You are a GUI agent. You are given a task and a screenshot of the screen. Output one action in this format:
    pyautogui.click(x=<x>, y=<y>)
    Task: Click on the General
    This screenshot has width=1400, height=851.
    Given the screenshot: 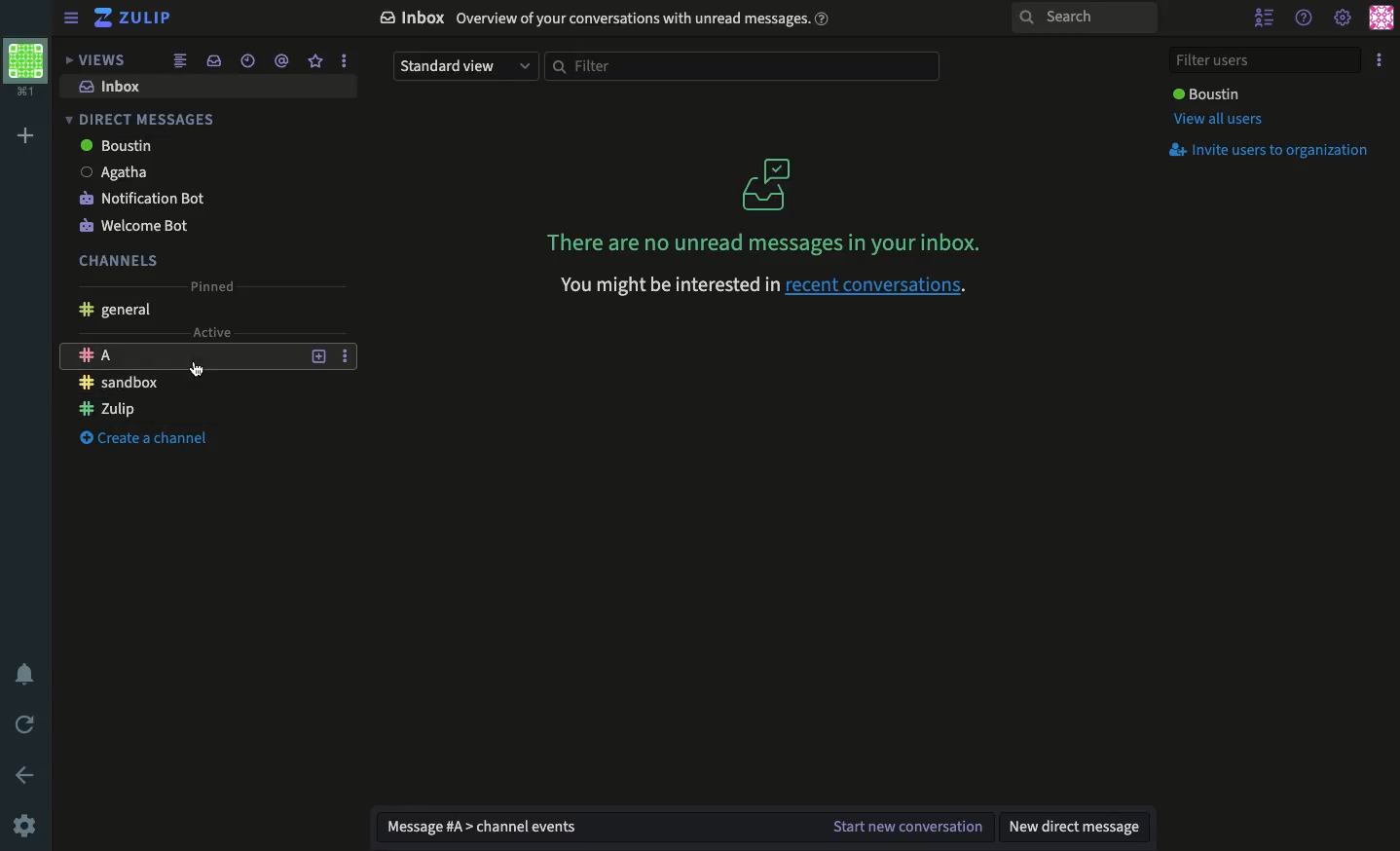 What is the action you would take?
    pyautogui.click(x=119, y=310)
    